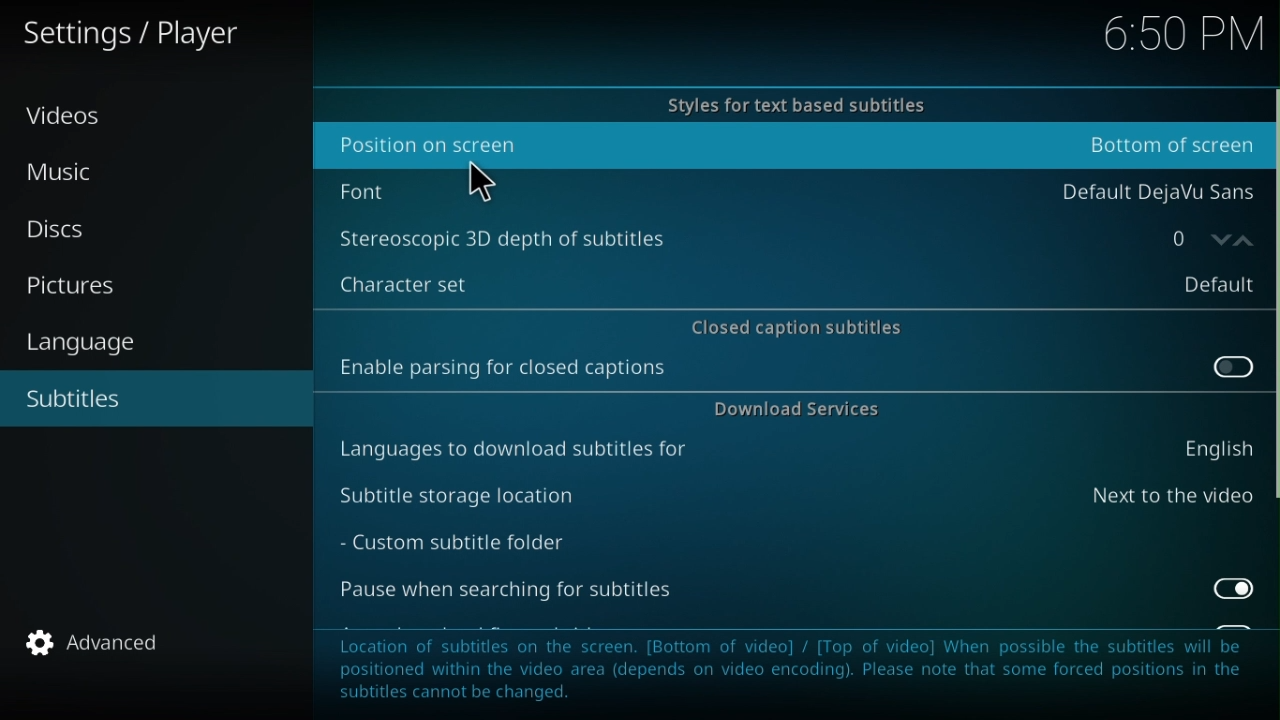 Image resolution: width=1280 pixels, height=720 pixels. Describe the element at coordinates (793, 412) in the screenshot. I see `Download services` at that location.